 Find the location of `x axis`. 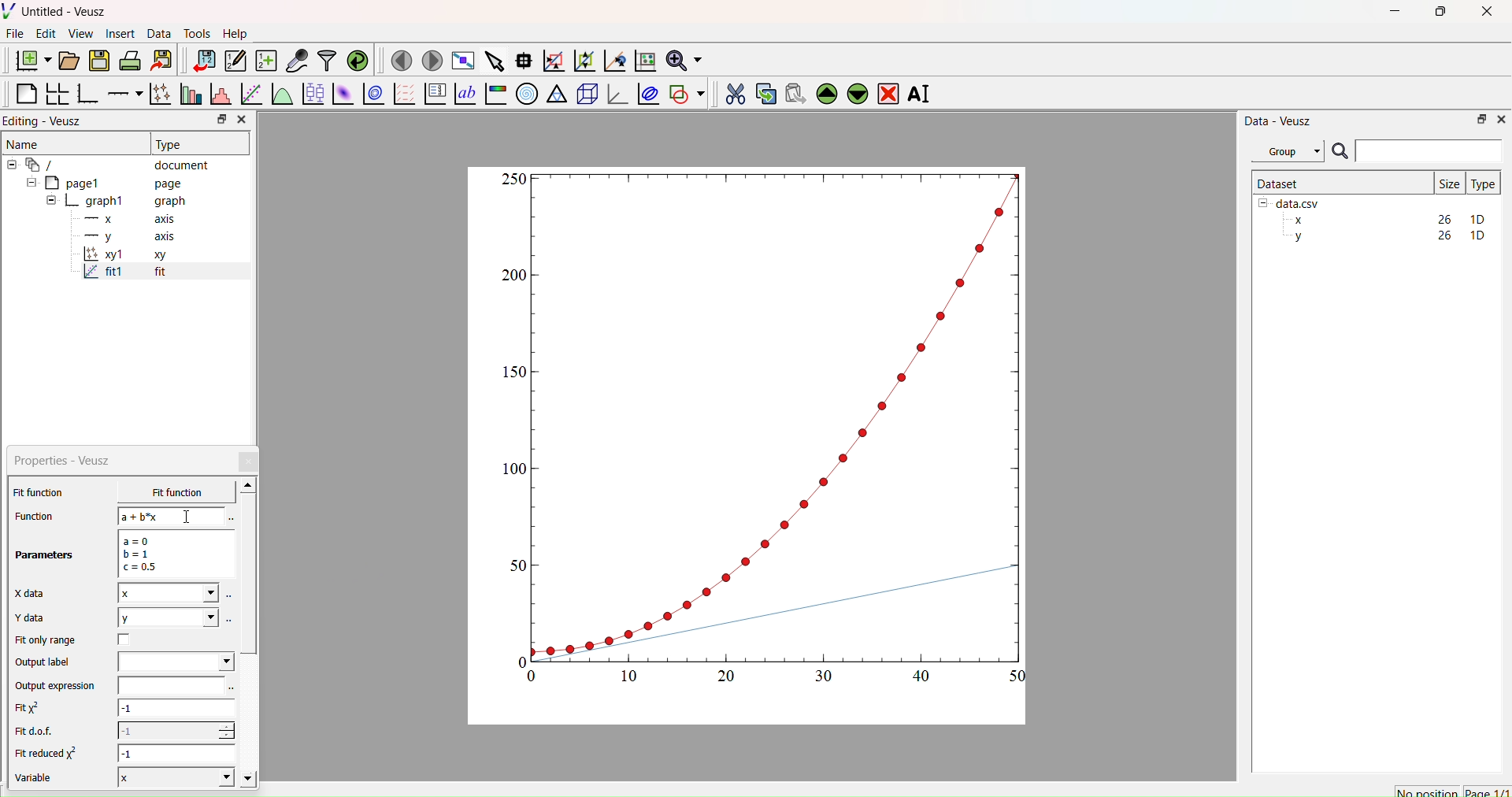

x axis is located at coordinates (128, 217).